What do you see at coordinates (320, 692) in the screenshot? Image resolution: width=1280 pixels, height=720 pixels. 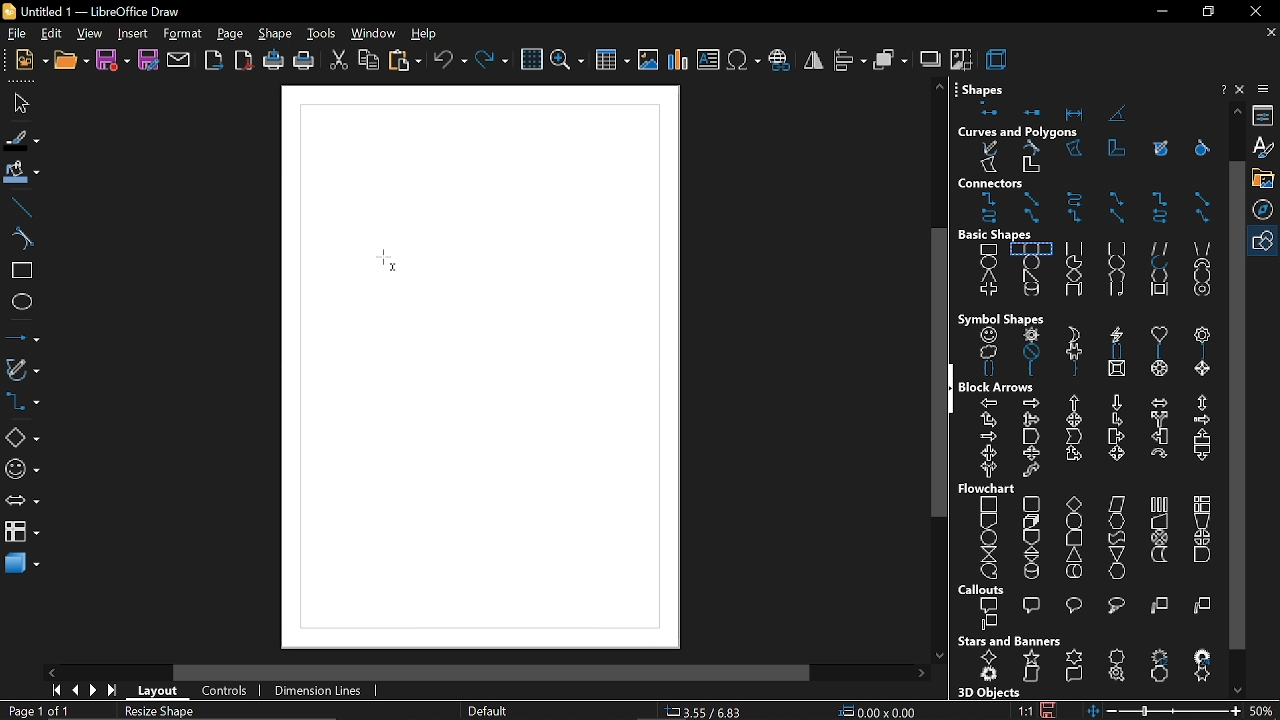 I see `dimension lines` at bounding box center [320, 692].